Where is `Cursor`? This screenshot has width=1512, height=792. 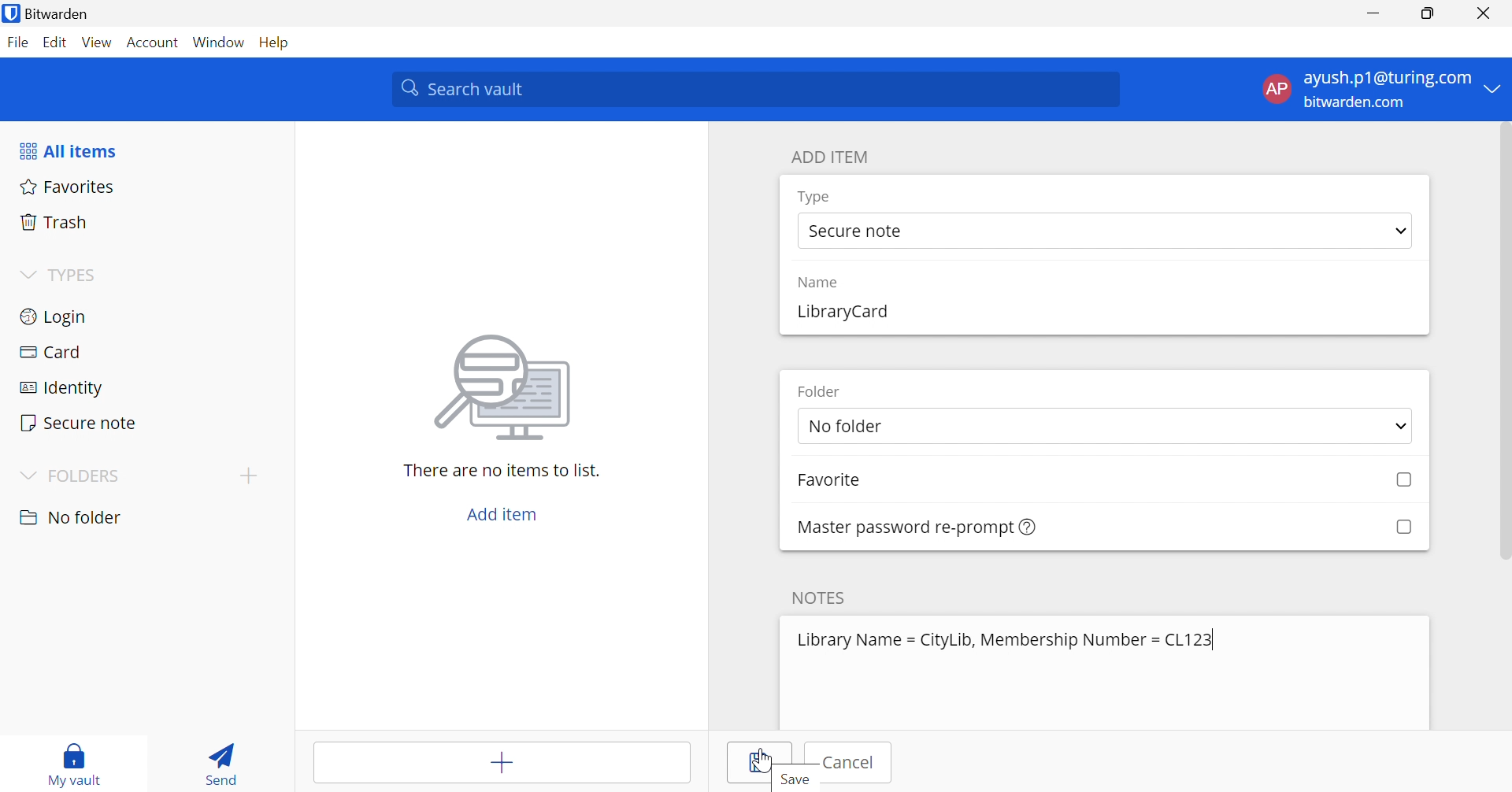 Cursor is located at coordinates (762, 761).